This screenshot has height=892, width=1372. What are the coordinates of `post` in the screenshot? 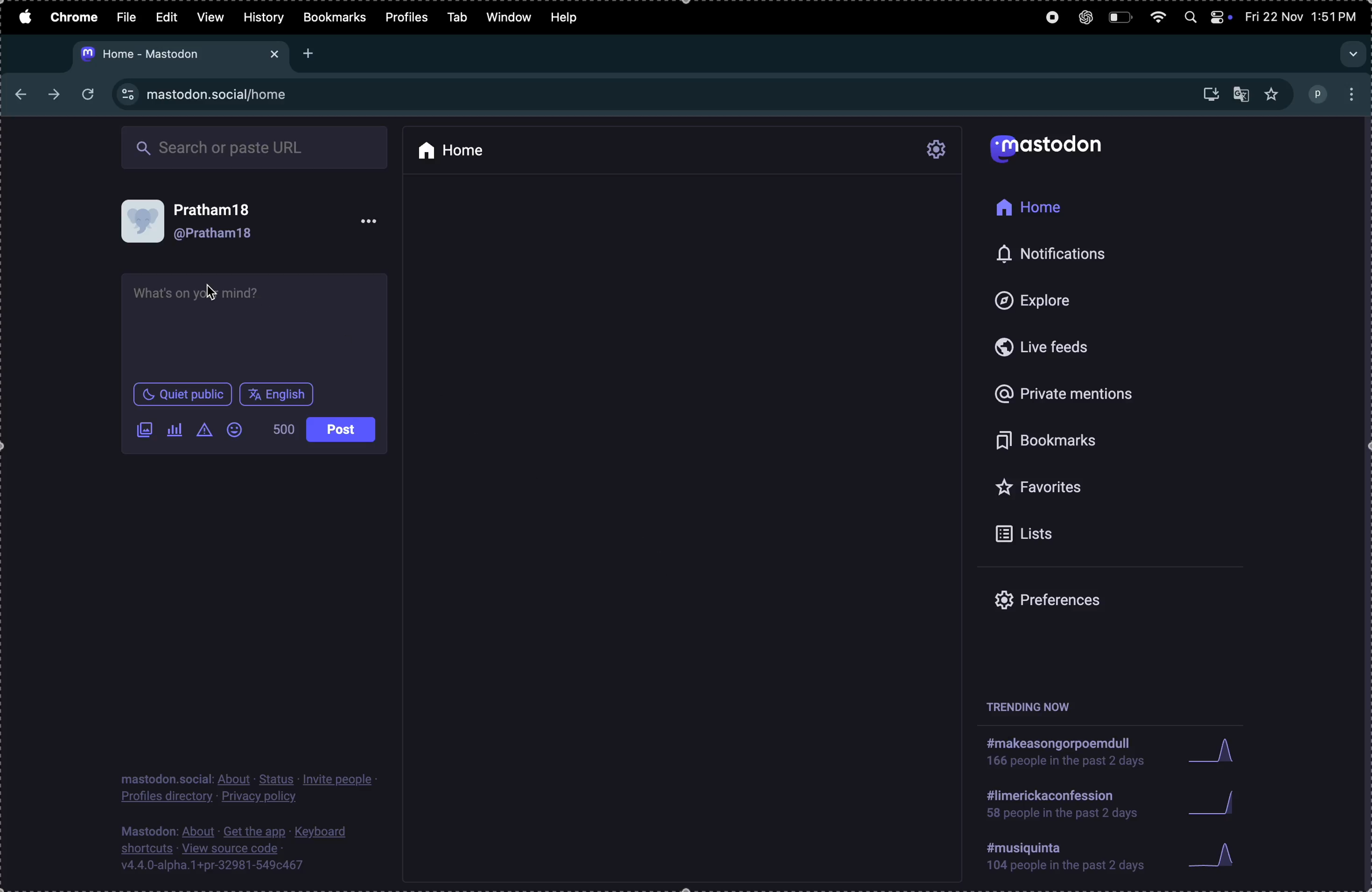 It's located at (341, 430).